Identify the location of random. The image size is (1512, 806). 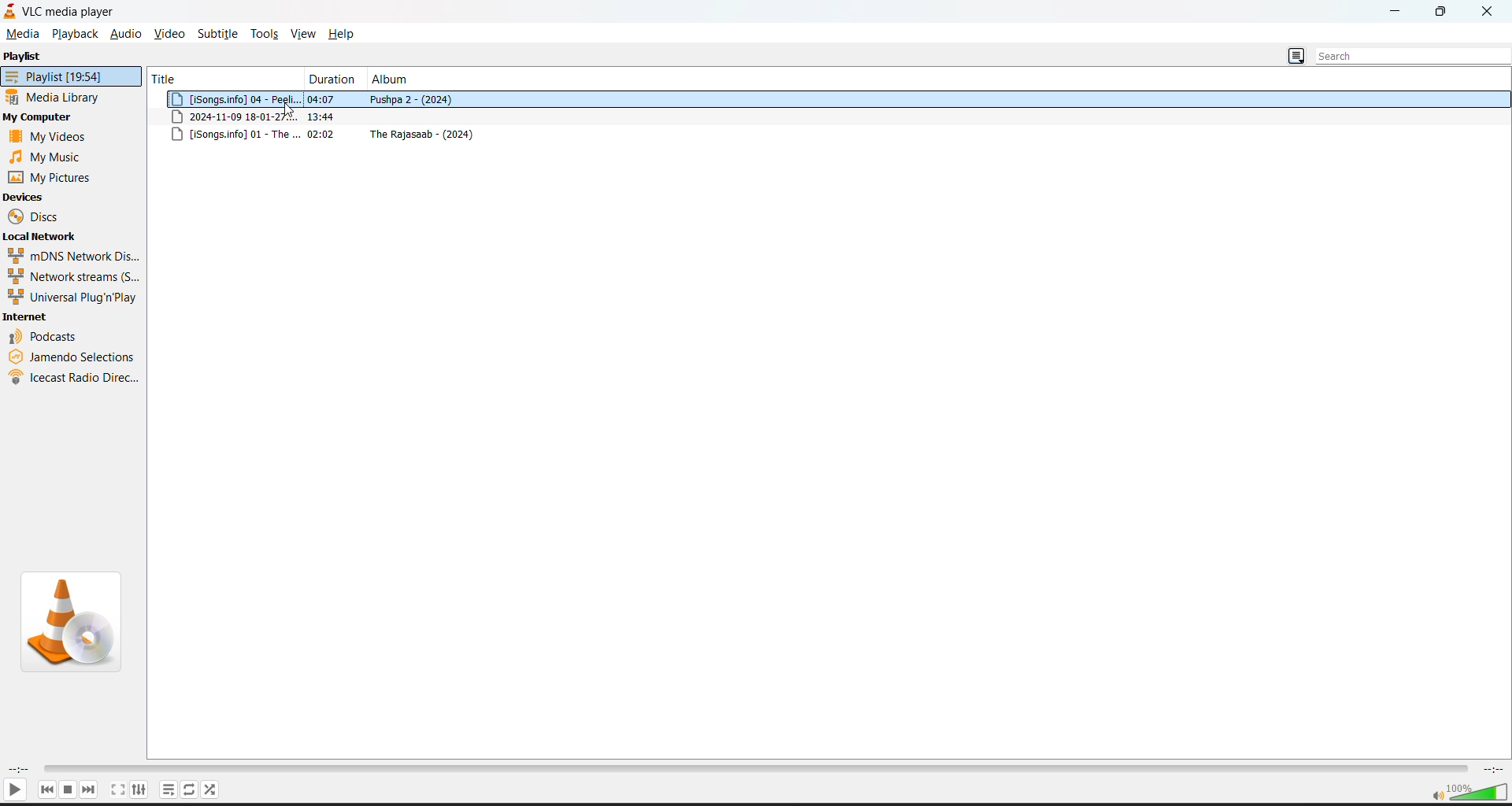
(212, 790).